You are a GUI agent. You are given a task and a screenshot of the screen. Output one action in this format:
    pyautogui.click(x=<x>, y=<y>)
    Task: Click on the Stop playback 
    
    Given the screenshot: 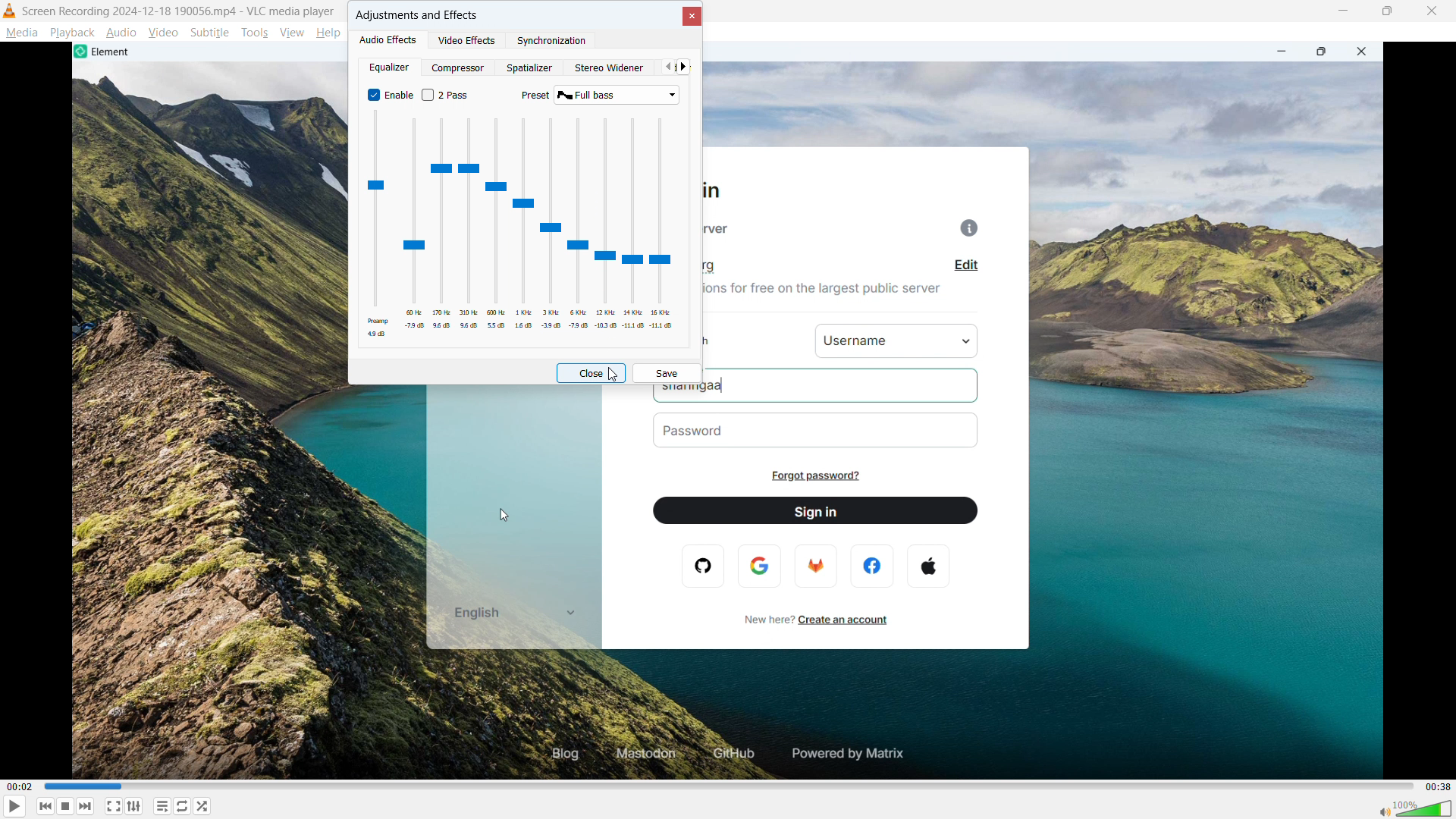 What is the action you would take?
    pyautogui.click(x=74, y=805)
    